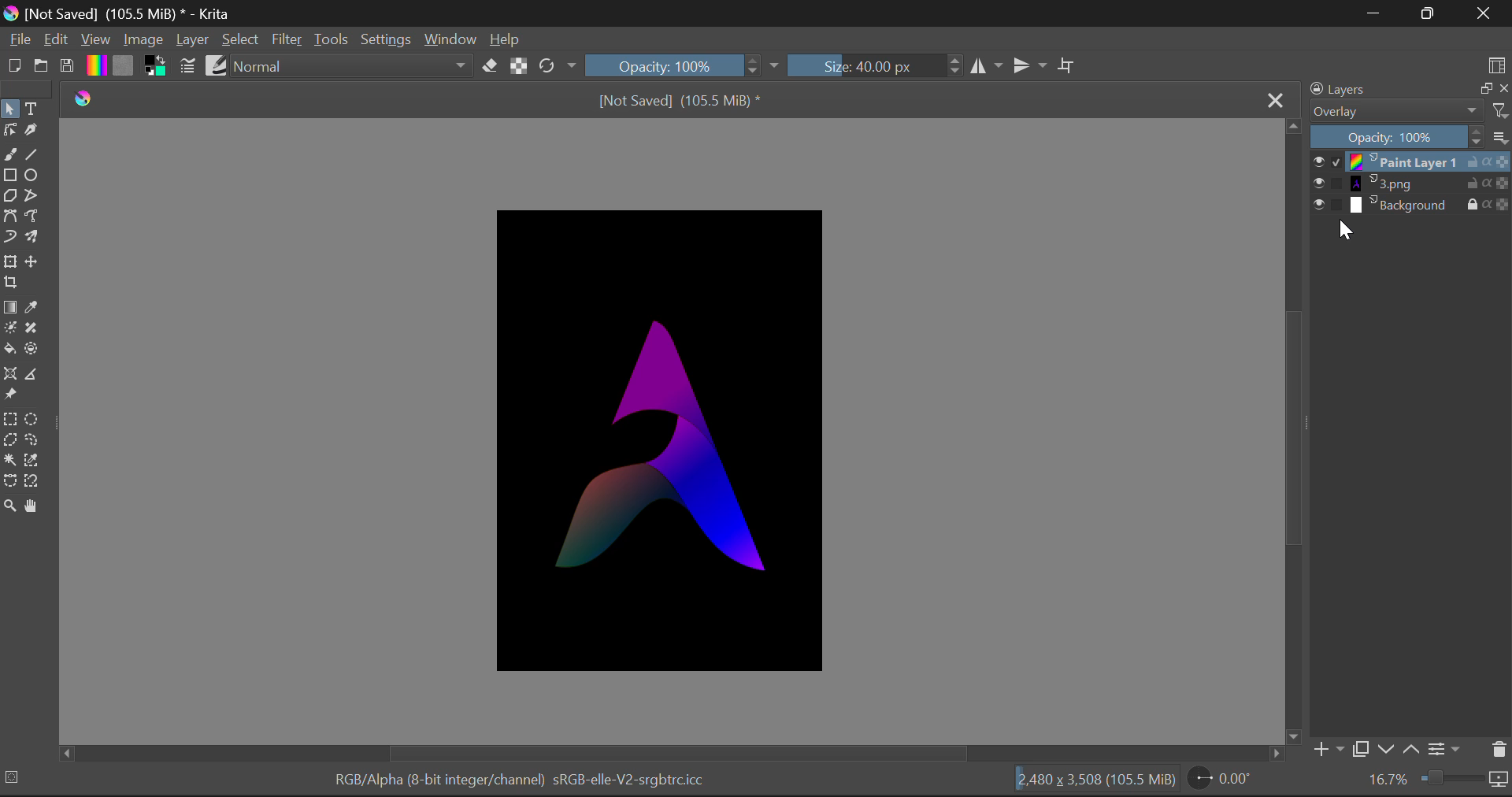 This screenshot has height=797, width=1512. What do you see at coordinates (30, 217) in the screenshot?
I see `Freehand Path Tool` at bounding box center [30, 217].